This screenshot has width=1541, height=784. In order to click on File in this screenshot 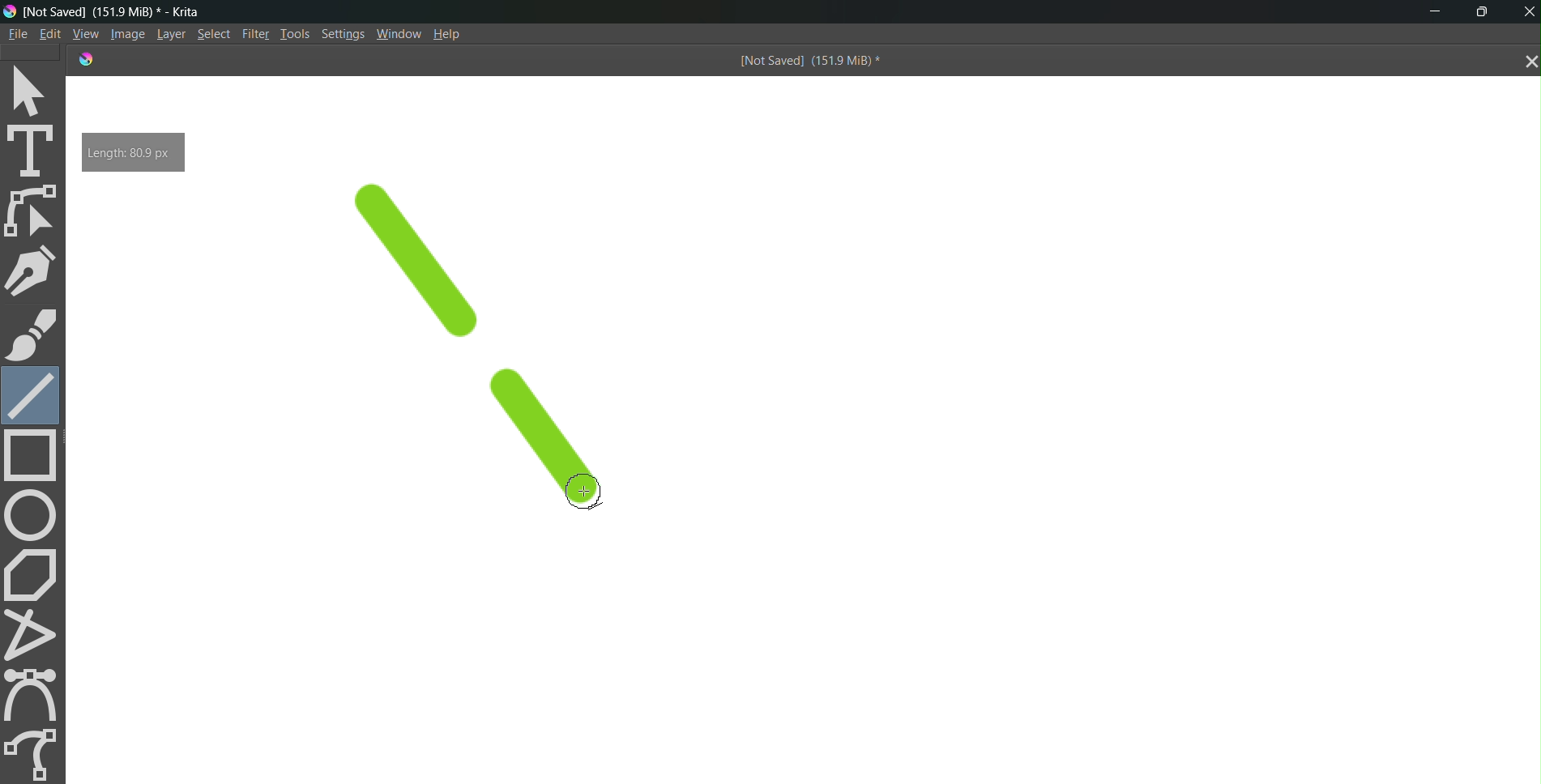, I will do `click(16, 33)`.